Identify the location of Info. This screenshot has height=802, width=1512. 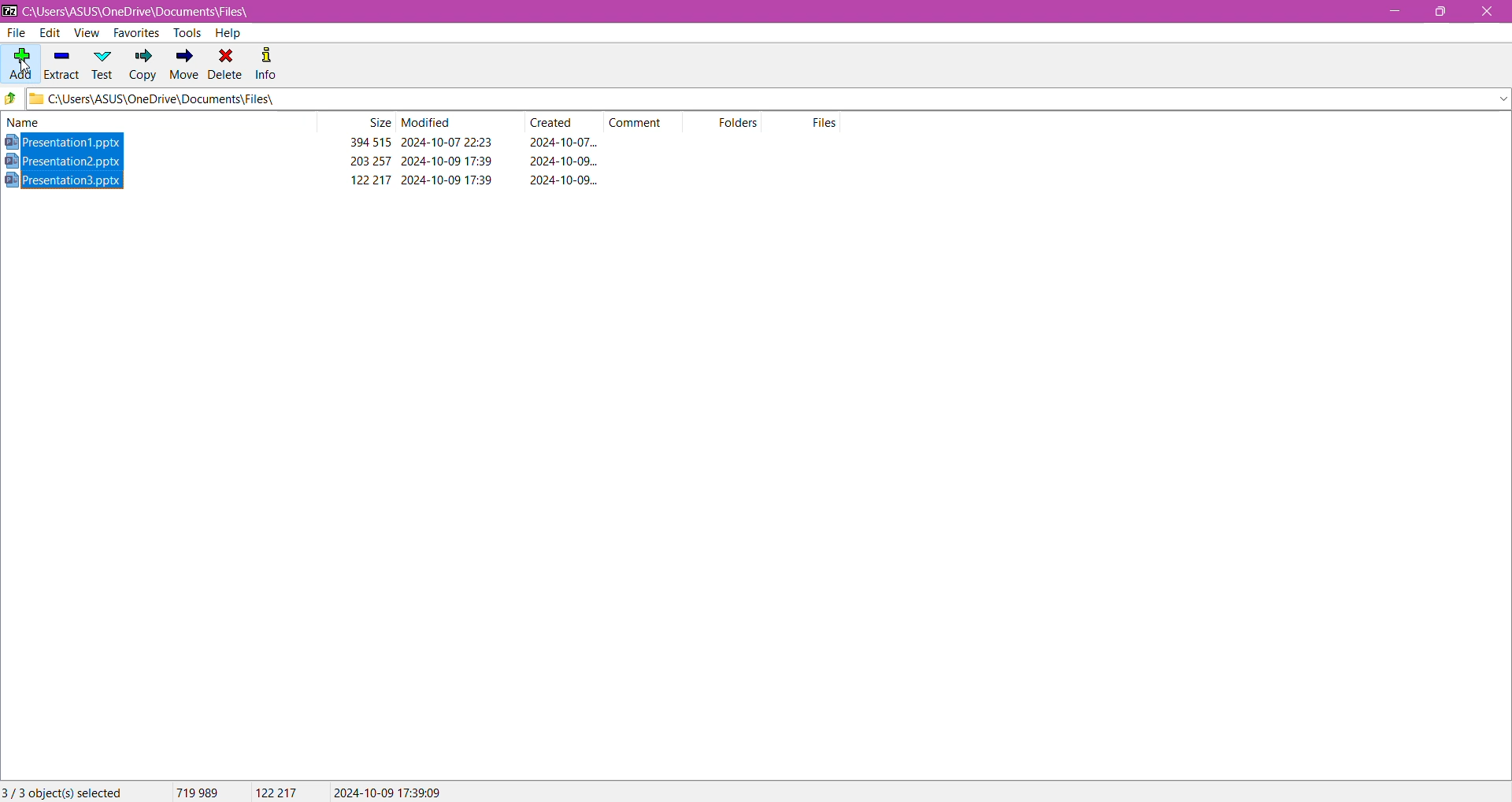
(267, 62).